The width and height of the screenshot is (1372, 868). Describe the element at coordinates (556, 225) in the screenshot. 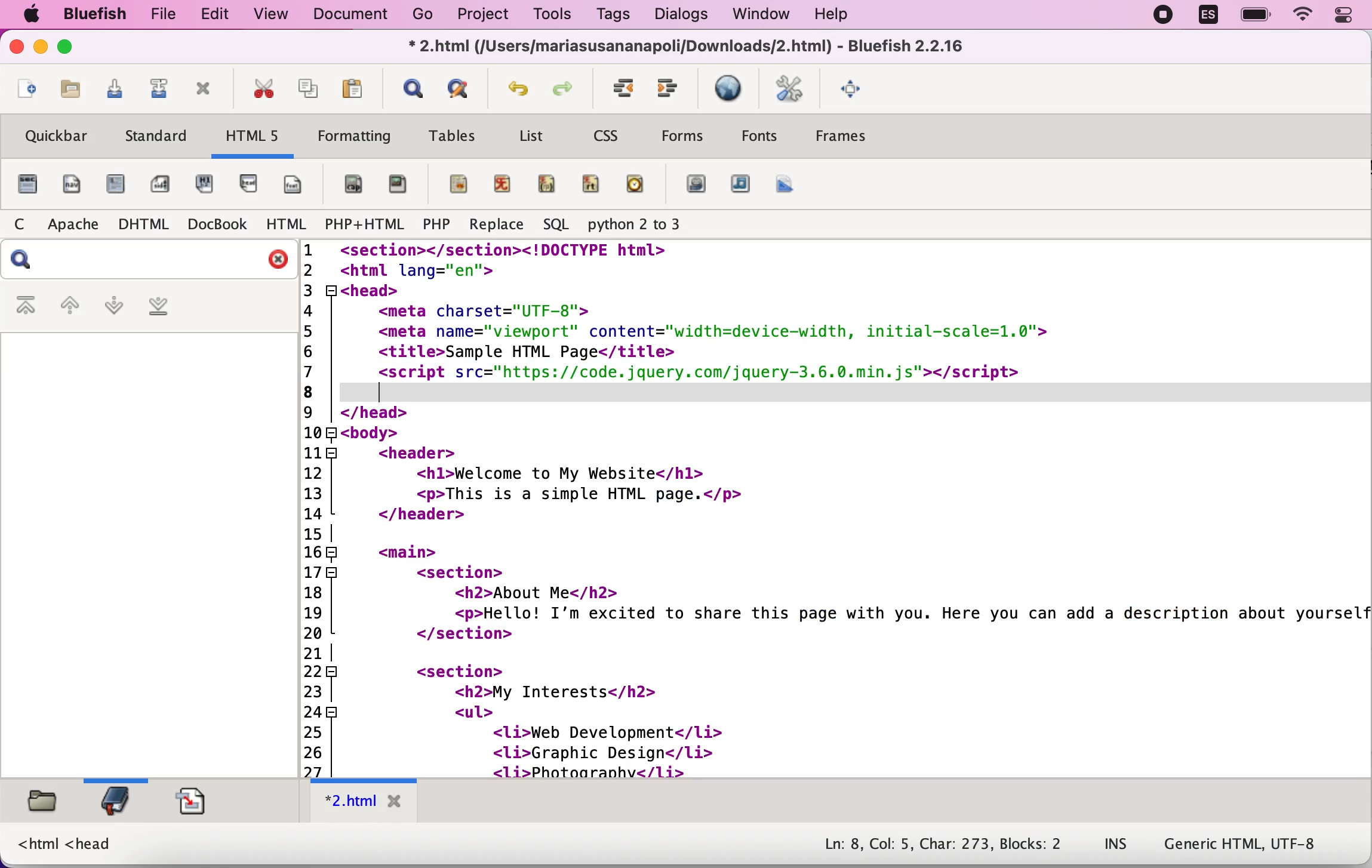

I see `sql` at that location.